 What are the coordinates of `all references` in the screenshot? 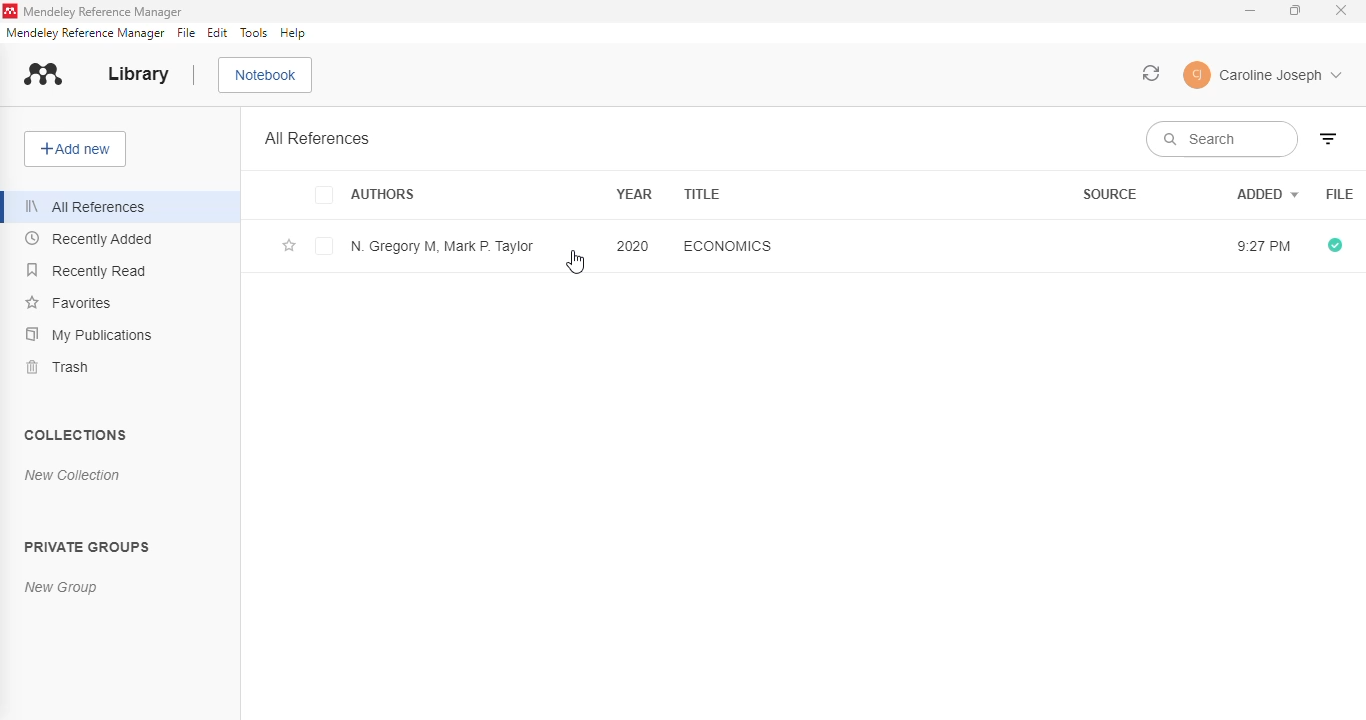 It's located at (317, 137).